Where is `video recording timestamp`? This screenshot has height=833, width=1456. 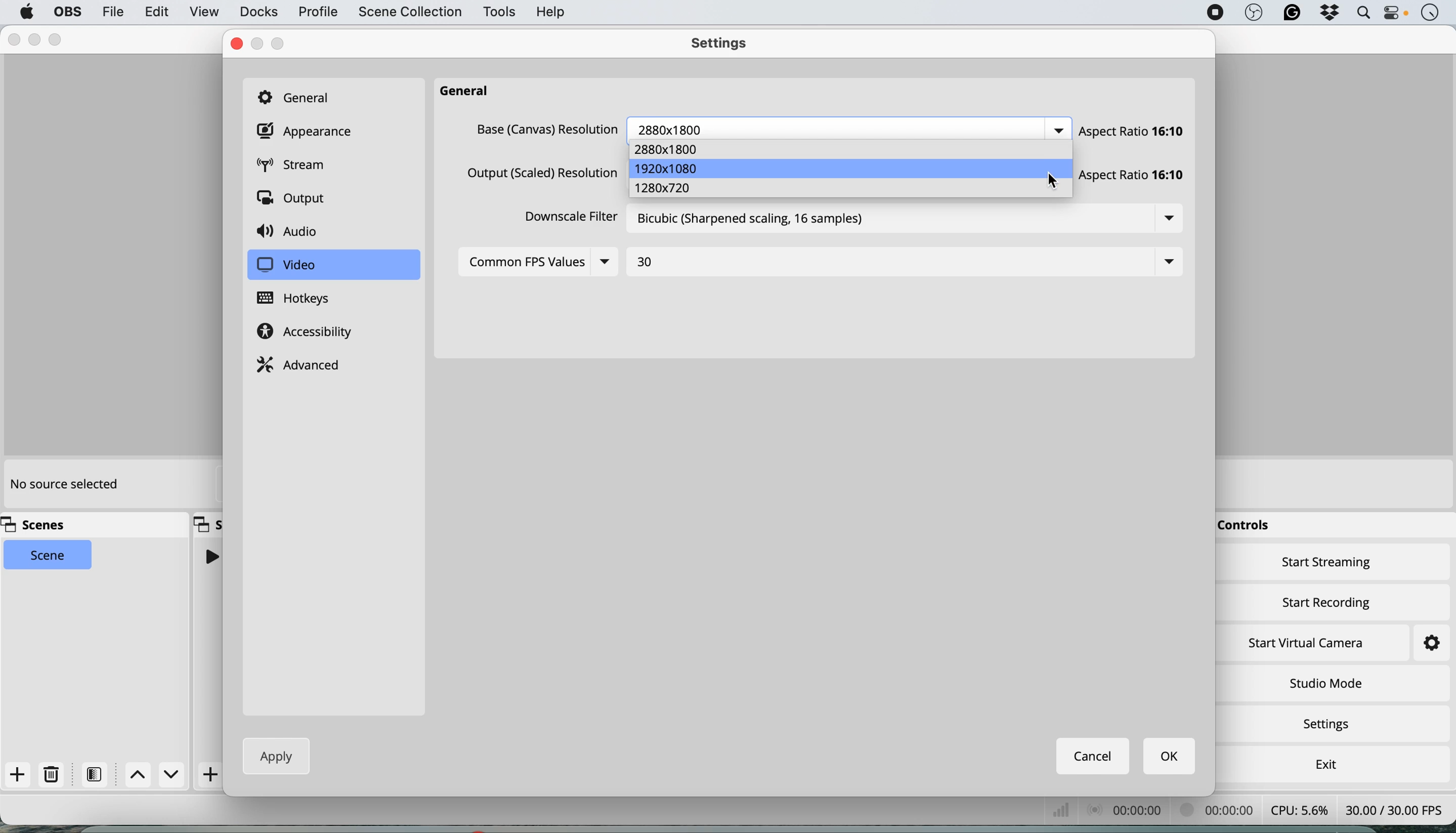 video recording timestamp is located at coordinates (1220, 812).